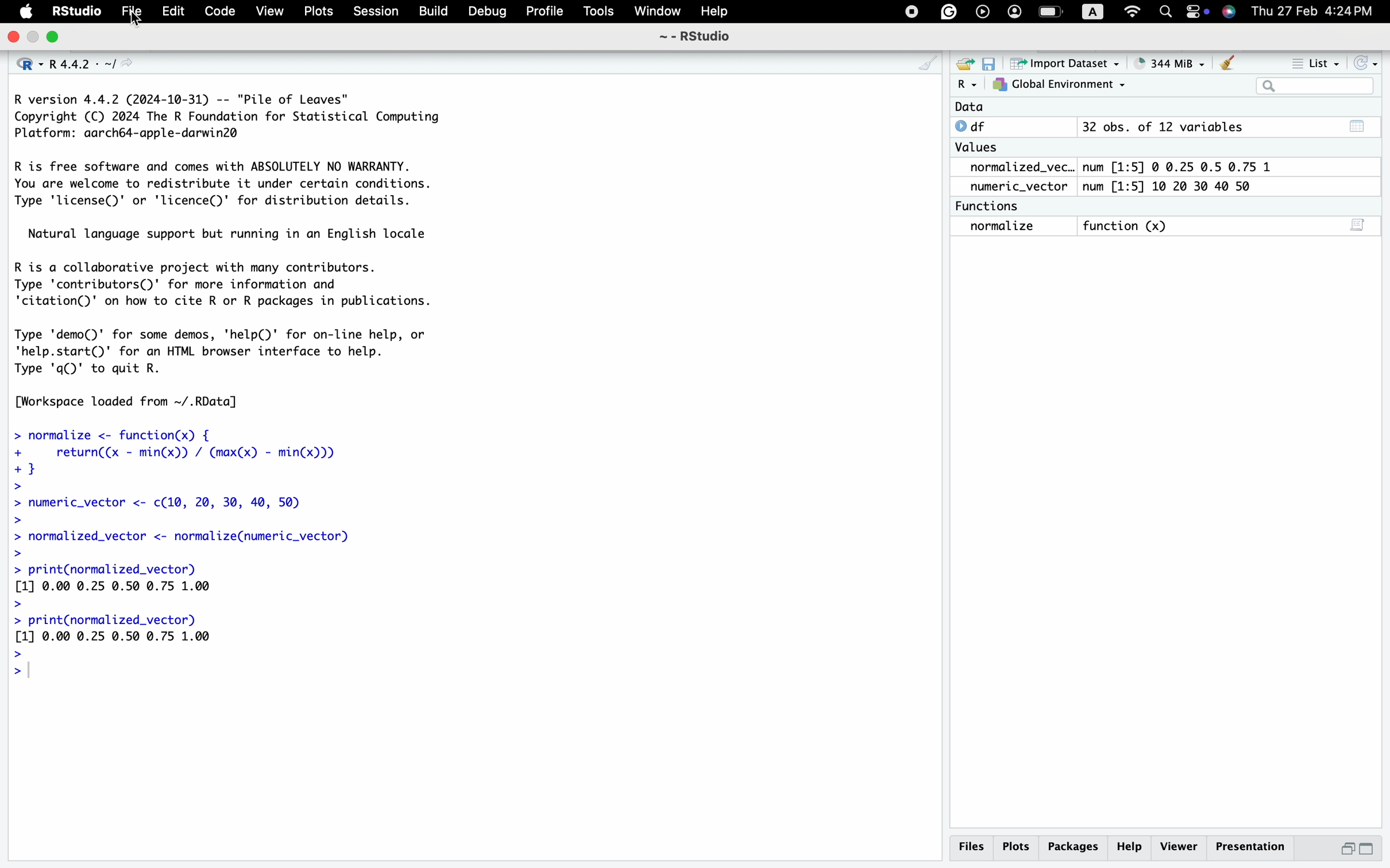 This screenshot has width=1390, height=868. What do you see at coordinates (1133, 10) in the screenshot?
I see `wifi` at bounding box center [1133, 10].